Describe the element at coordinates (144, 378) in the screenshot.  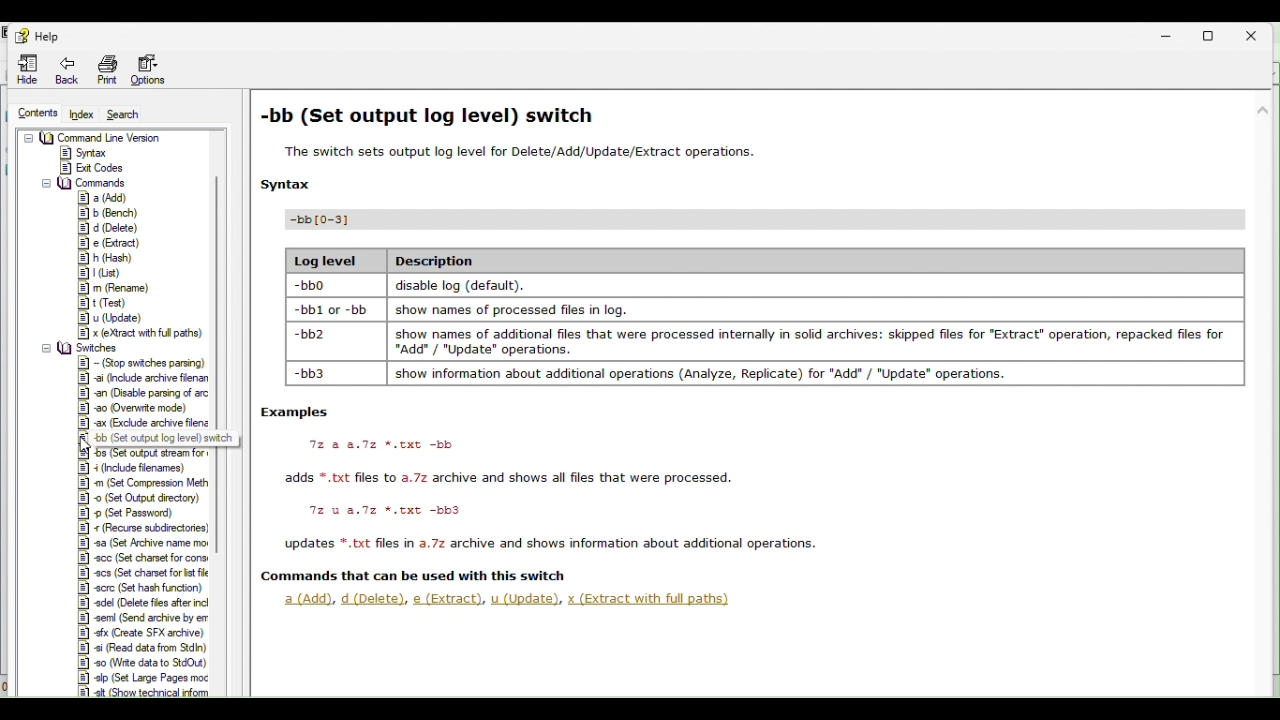
I see `|Z] ai (Include archive fienan` at that location.